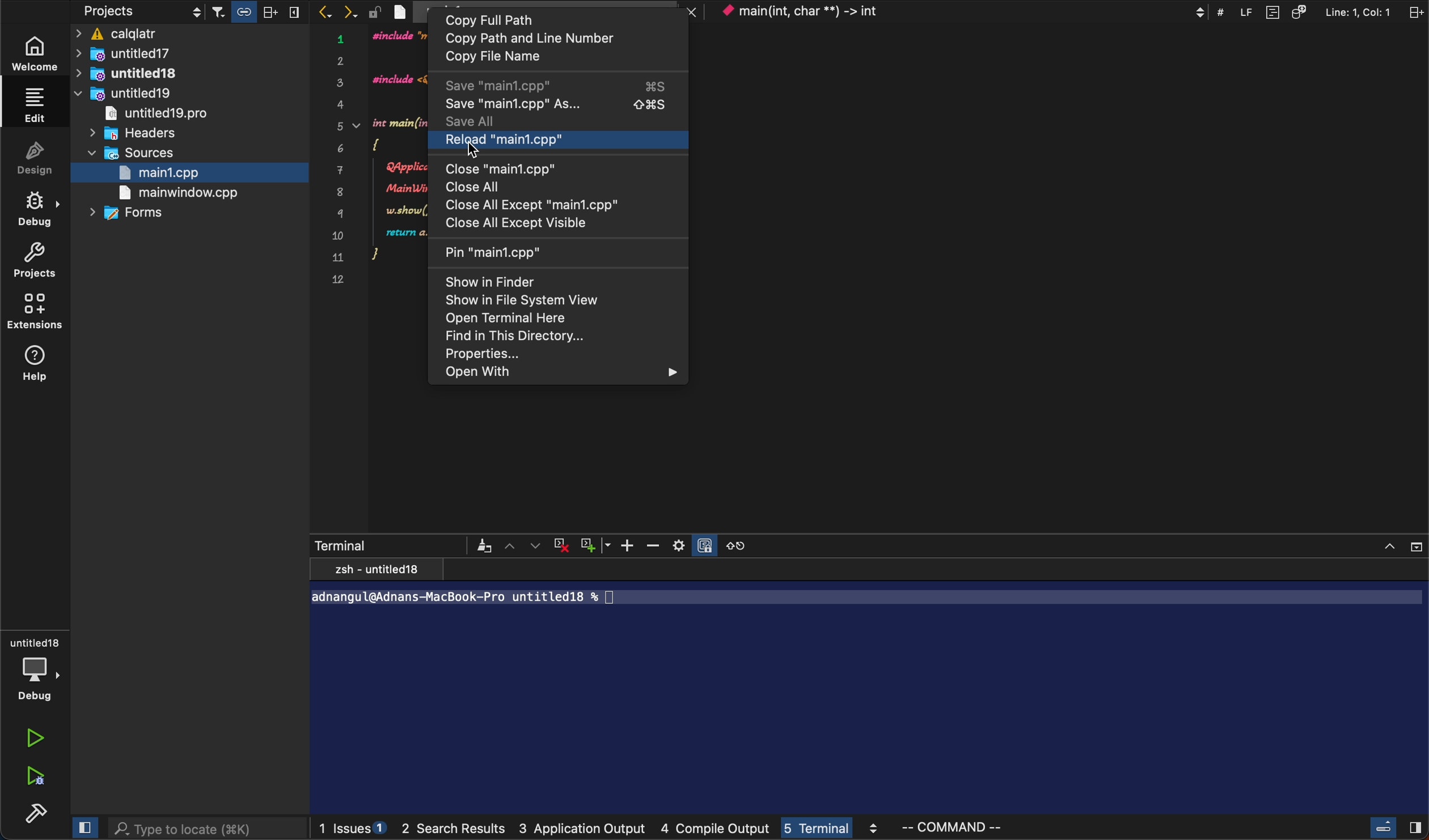 The image size is (1429, 840). I want to click on untitled17, so click(151, 54).